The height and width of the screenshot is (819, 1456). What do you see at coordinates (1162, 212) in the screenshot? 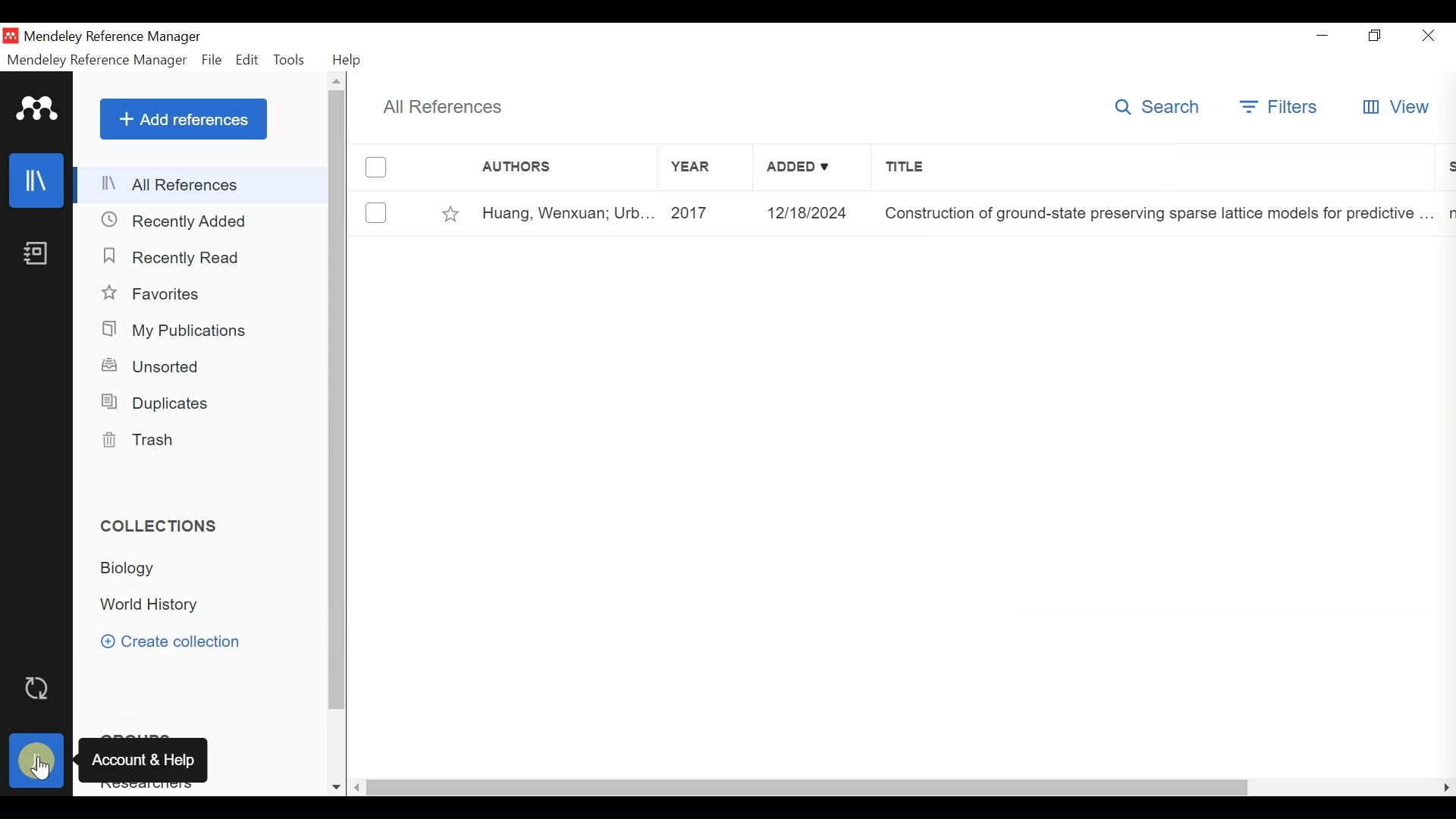
I see `Construction of ground-state preserving sparse lattice models for predictive ...` at bounding box center [1162, 212].